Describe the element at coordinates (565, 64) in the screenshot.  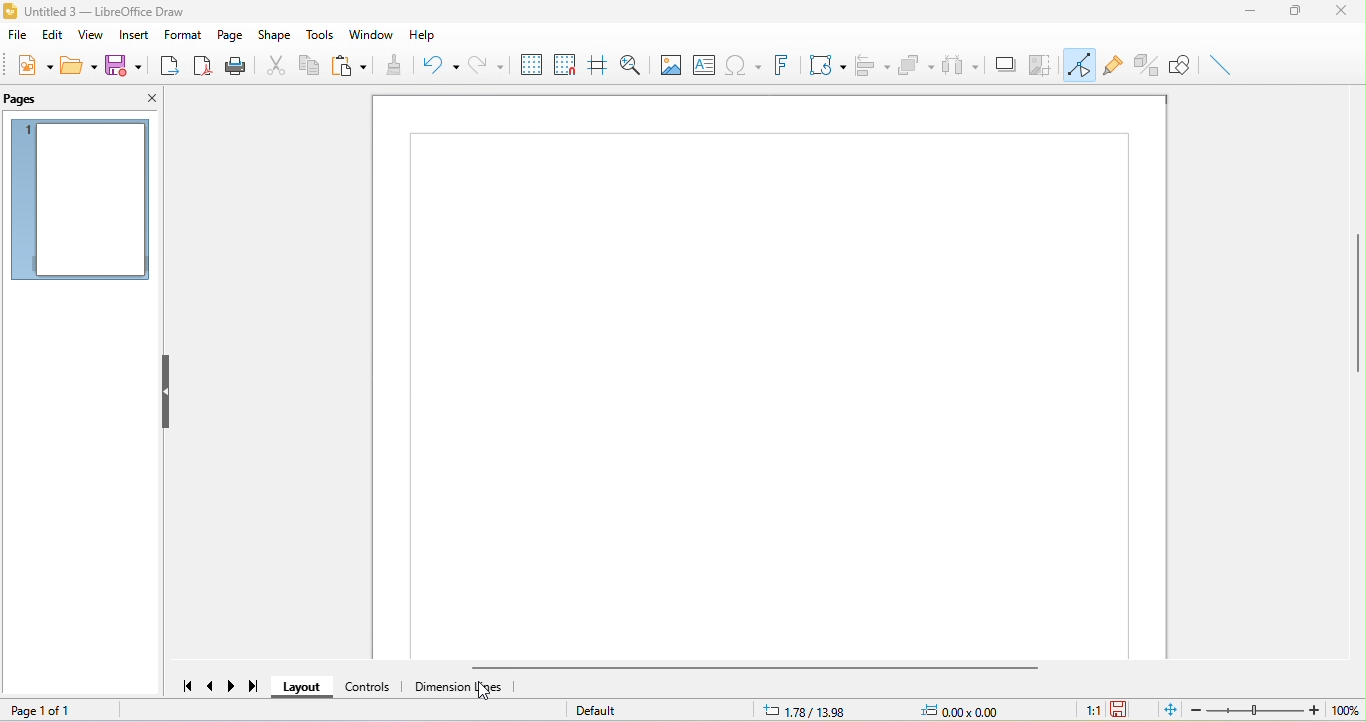
I see `snap to grid` at that location.